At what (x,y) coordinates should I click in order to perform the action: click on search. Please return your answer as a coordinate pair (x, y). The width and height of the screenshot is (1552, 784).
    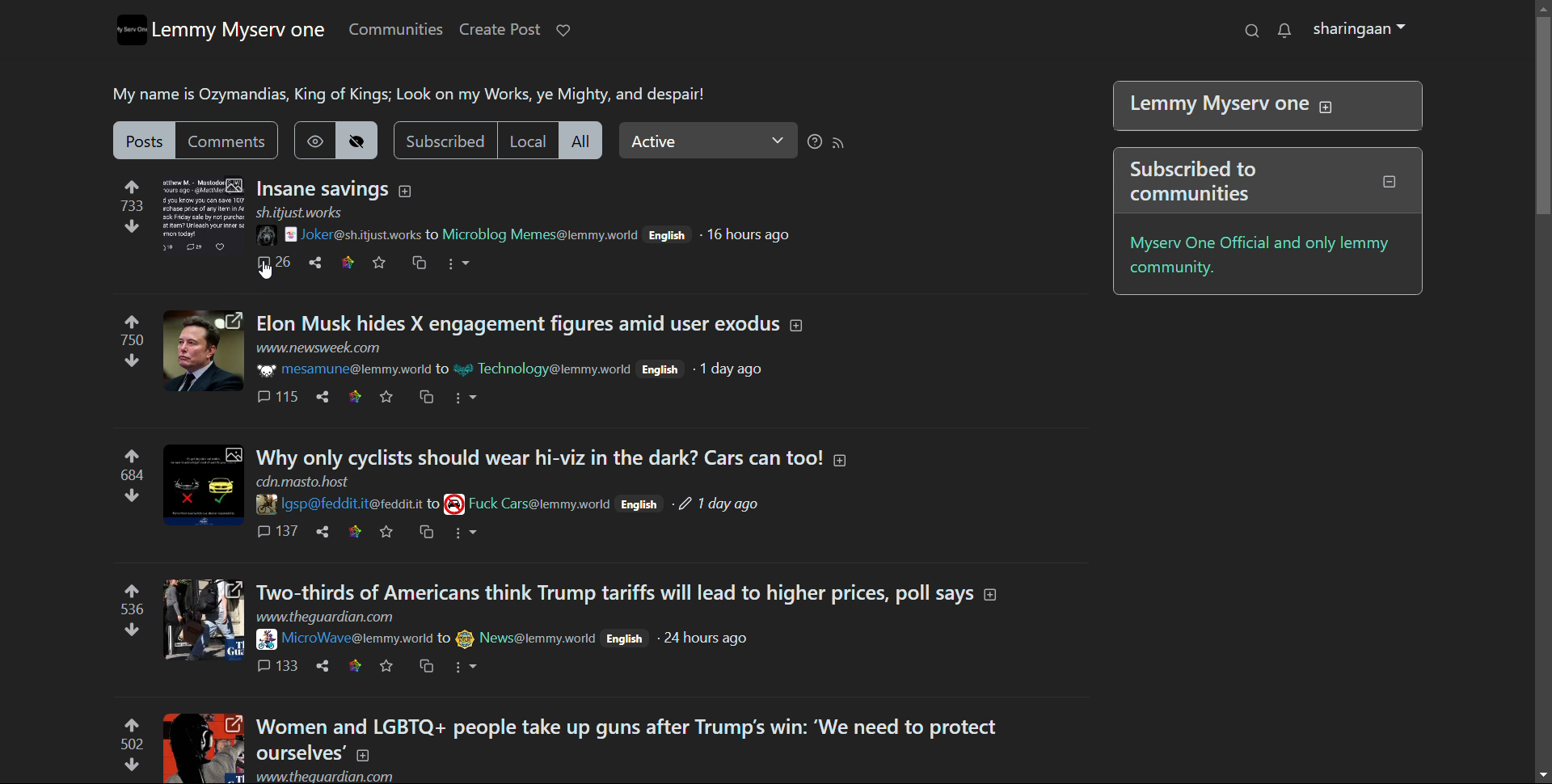
    Looking at the image, I should click on (1250, 30).